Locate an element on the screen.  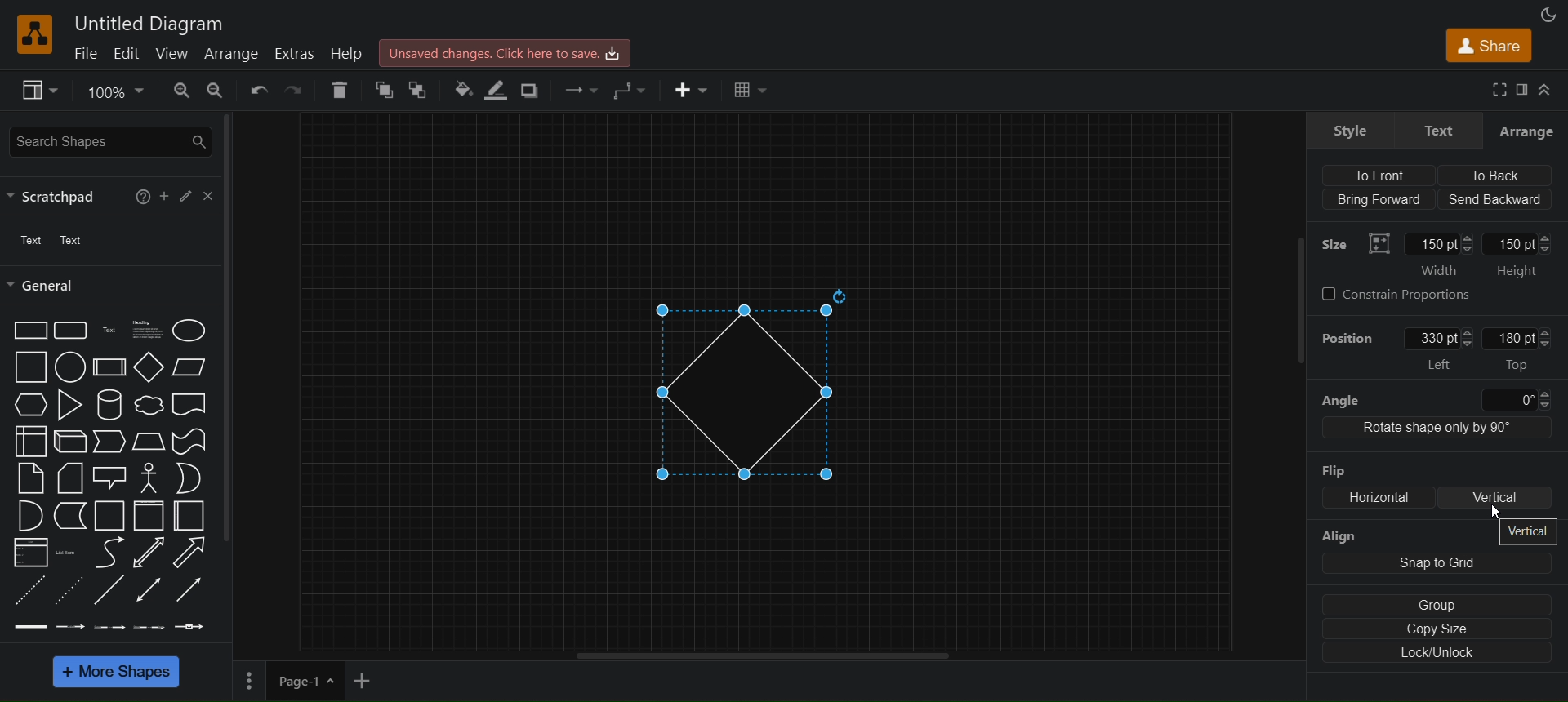
top is located at coordinates (1512, 349).